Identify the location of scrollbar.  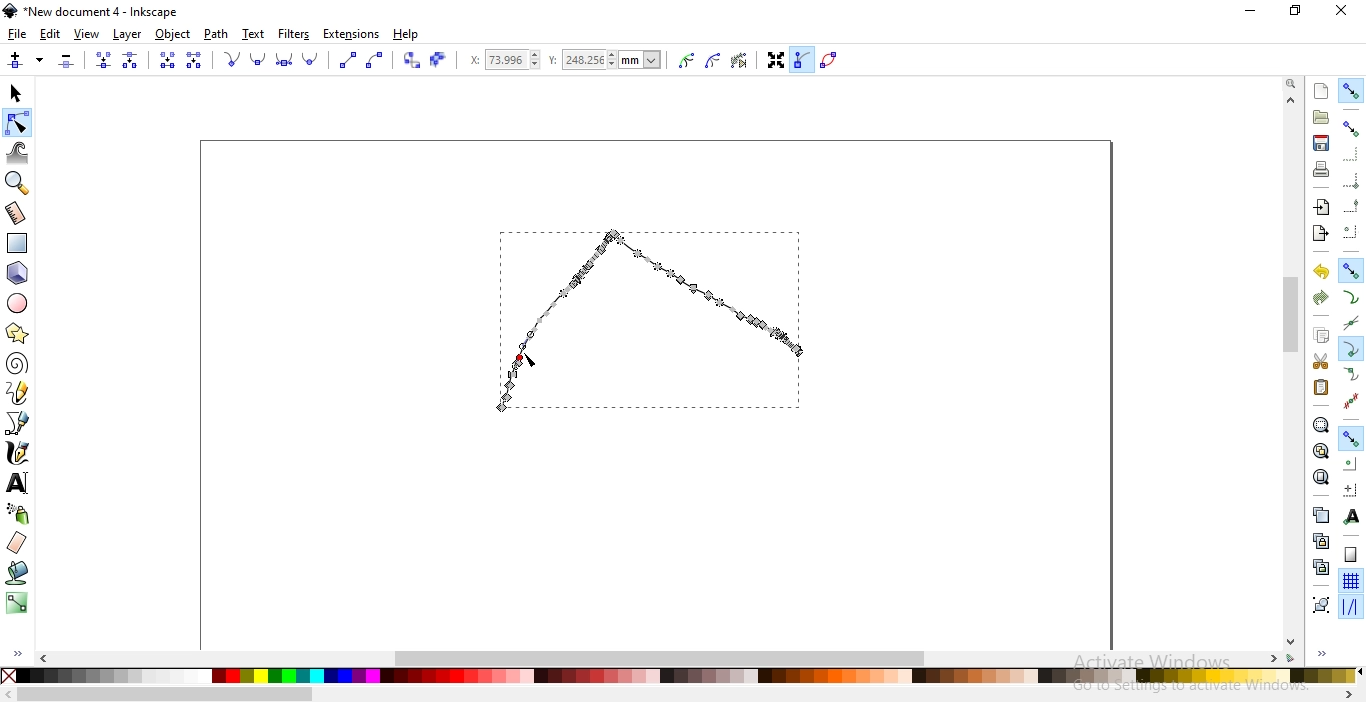
(1293, 317).